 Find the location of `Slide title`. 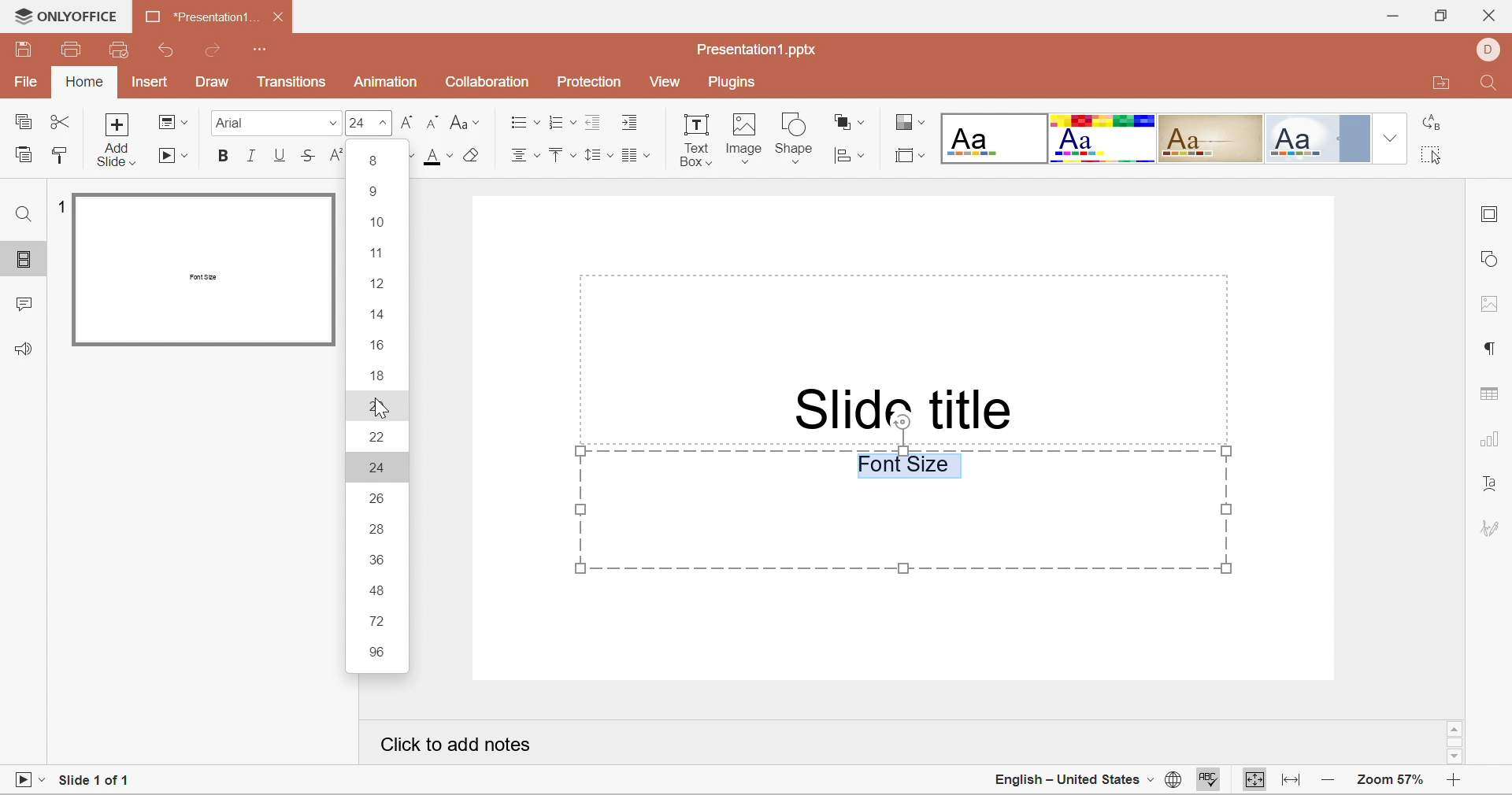

Slide title is located at coordinates (906, 406).